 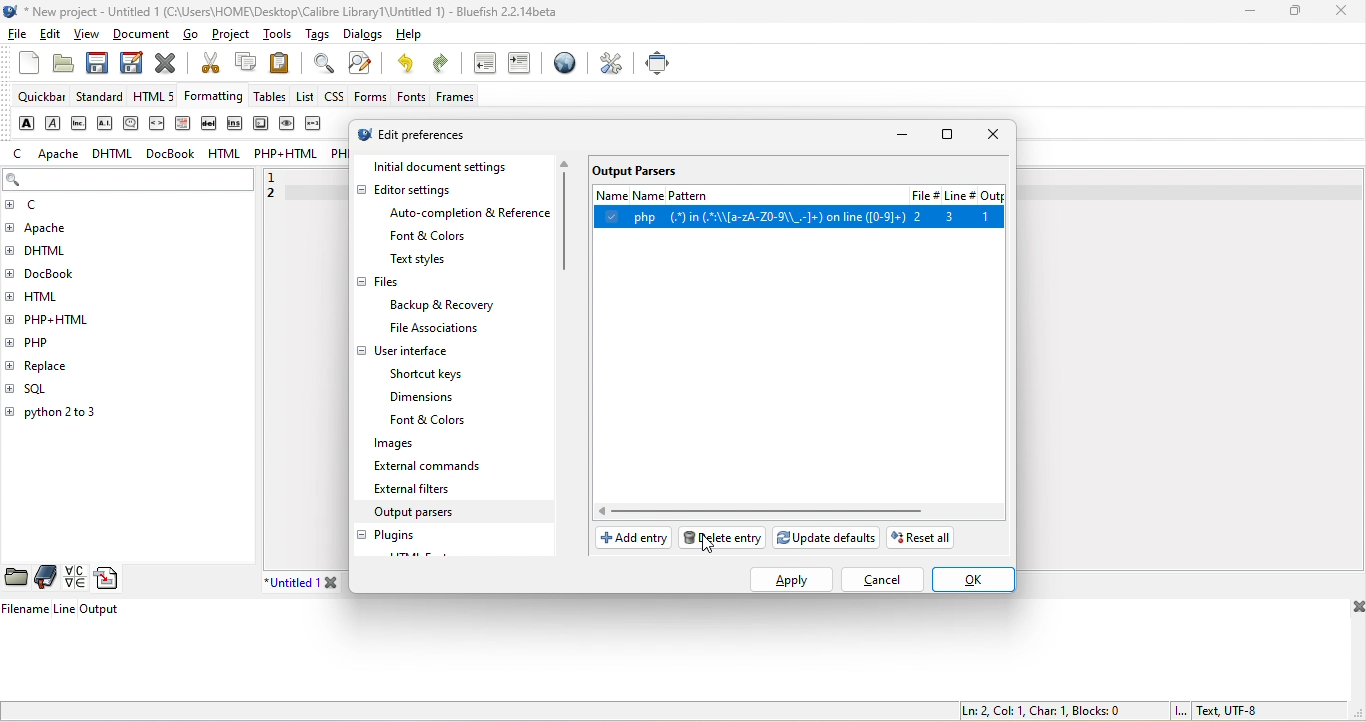 I want to click on file associations, so click(x=424, y=329).